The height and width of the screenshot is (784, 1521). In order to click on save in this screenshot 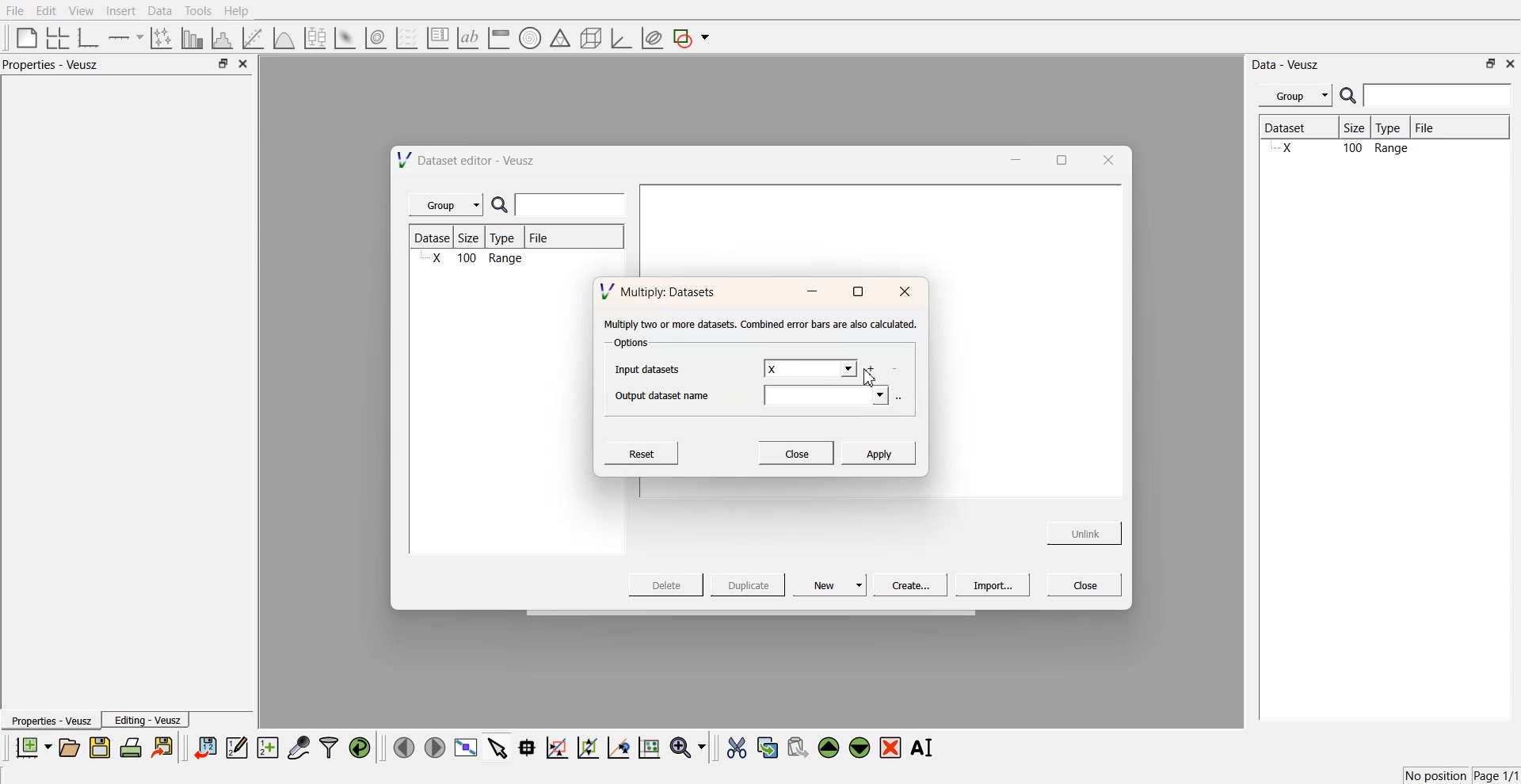, I will do `click(102, 748)`.